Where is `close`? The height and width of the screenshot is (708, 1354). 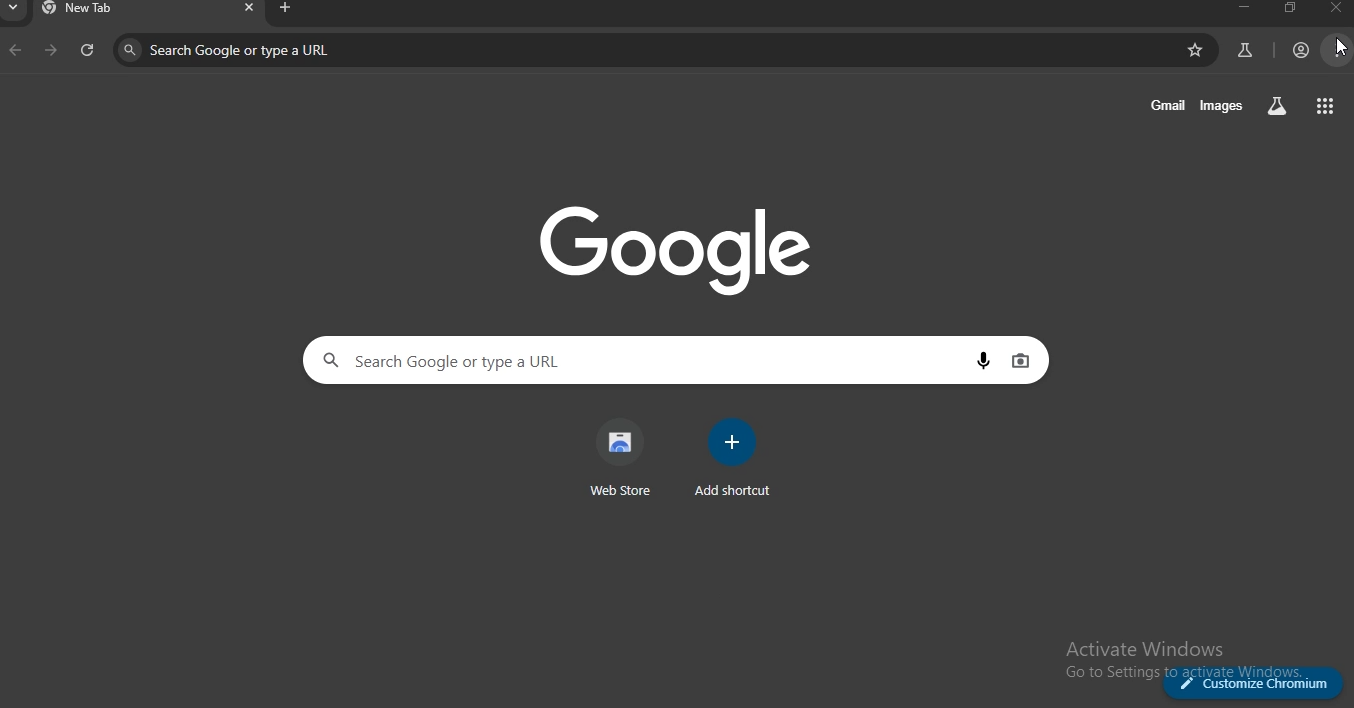 close is located at coordinates (1337, 8).